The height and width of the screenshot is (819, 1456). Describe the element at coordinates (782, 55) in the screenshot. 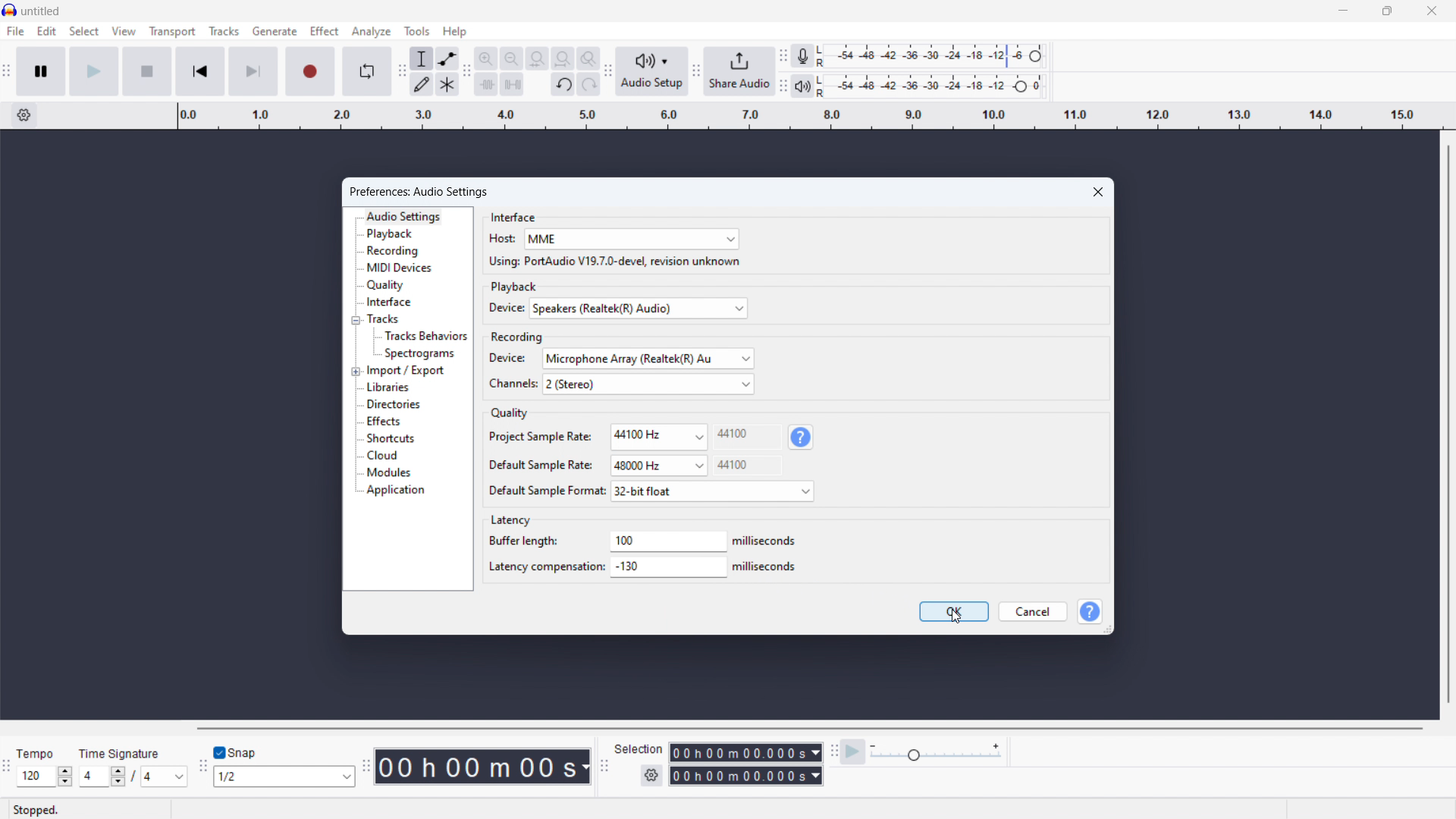

I see `recording meter toolbar` at that location.